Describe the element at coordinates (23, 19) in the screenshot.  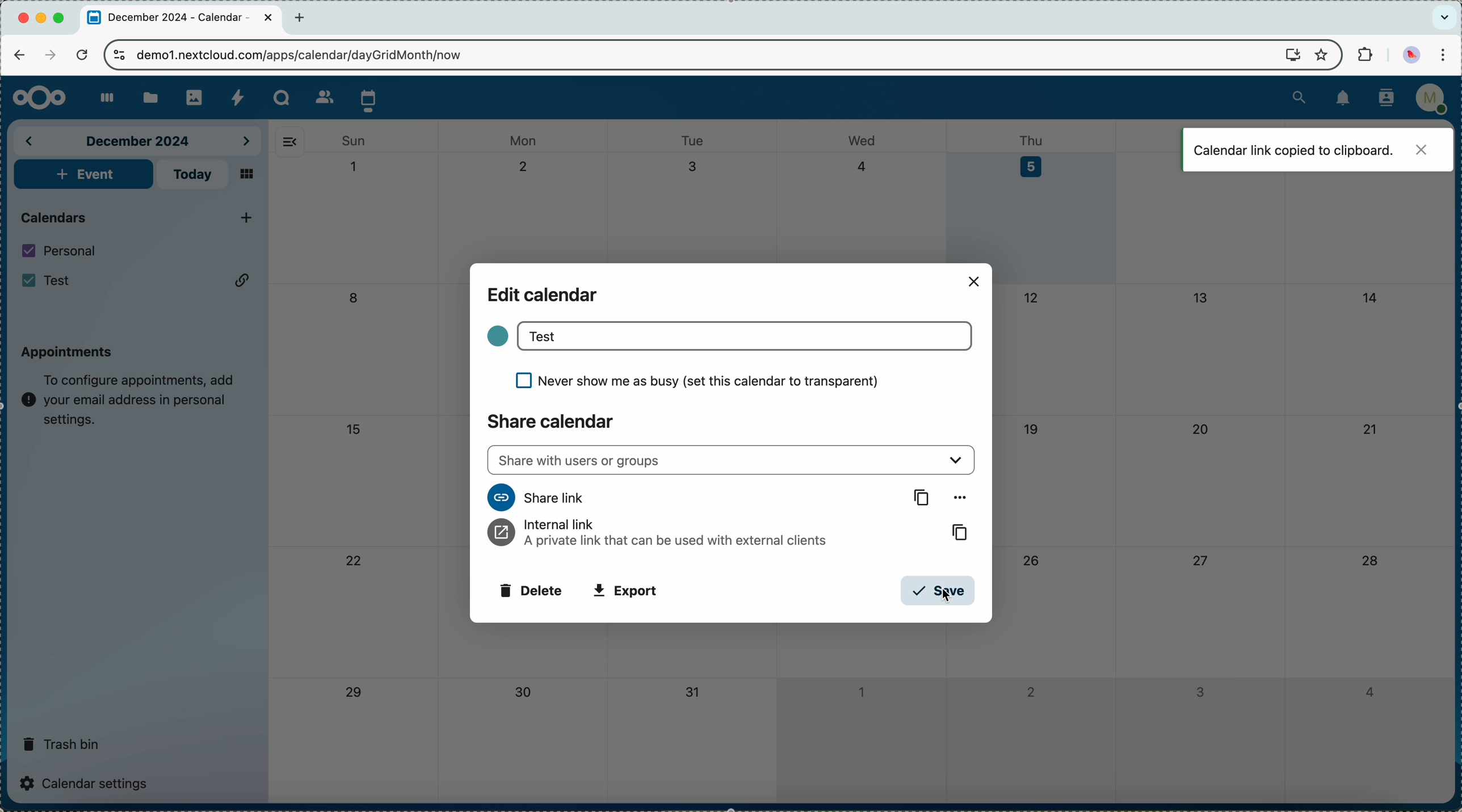
I see `close Chrome` at that location.